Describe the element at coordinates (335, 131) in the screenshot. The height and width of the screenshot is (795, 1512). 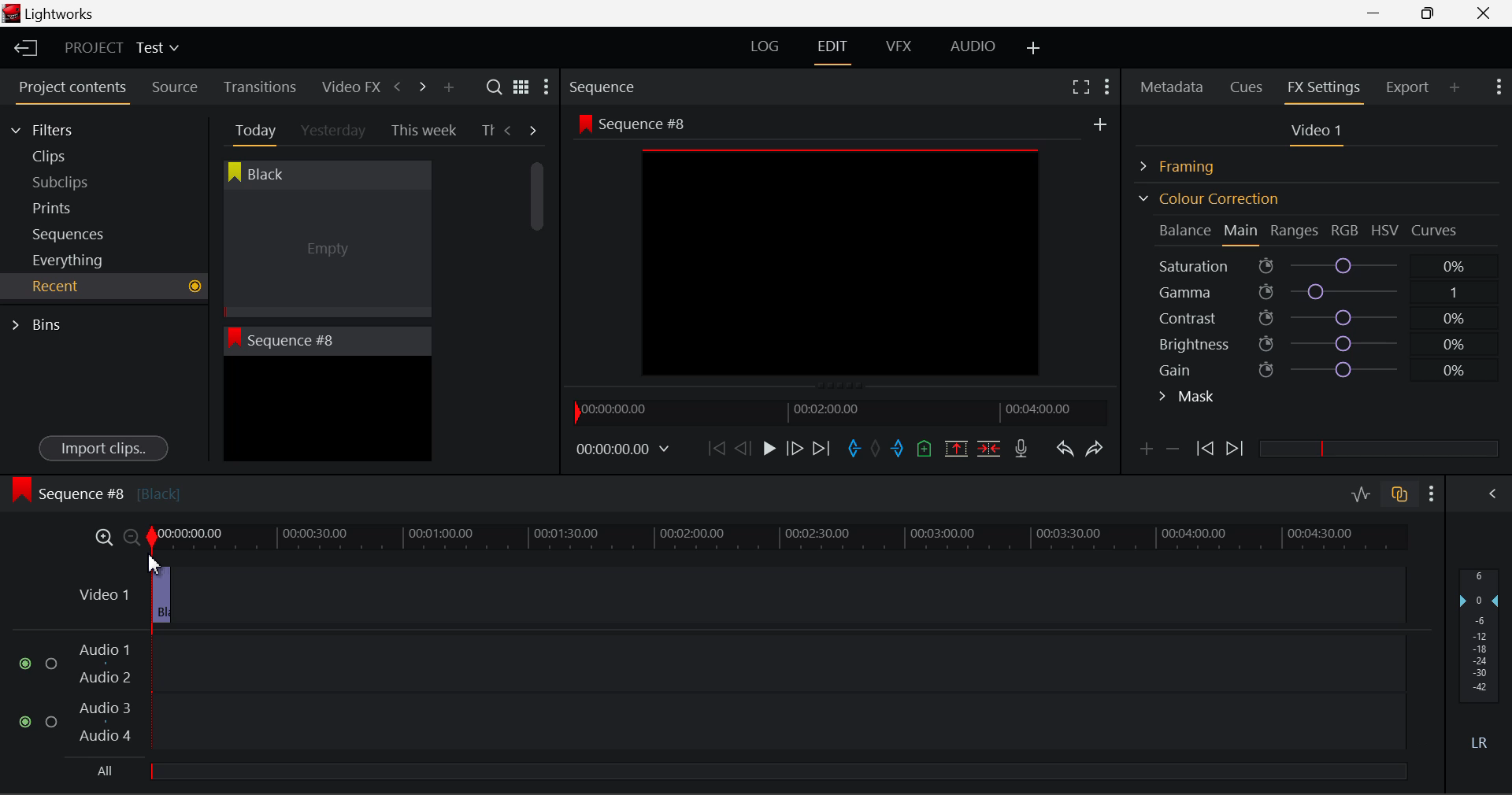
I see `Yesterday Tab` at that location.